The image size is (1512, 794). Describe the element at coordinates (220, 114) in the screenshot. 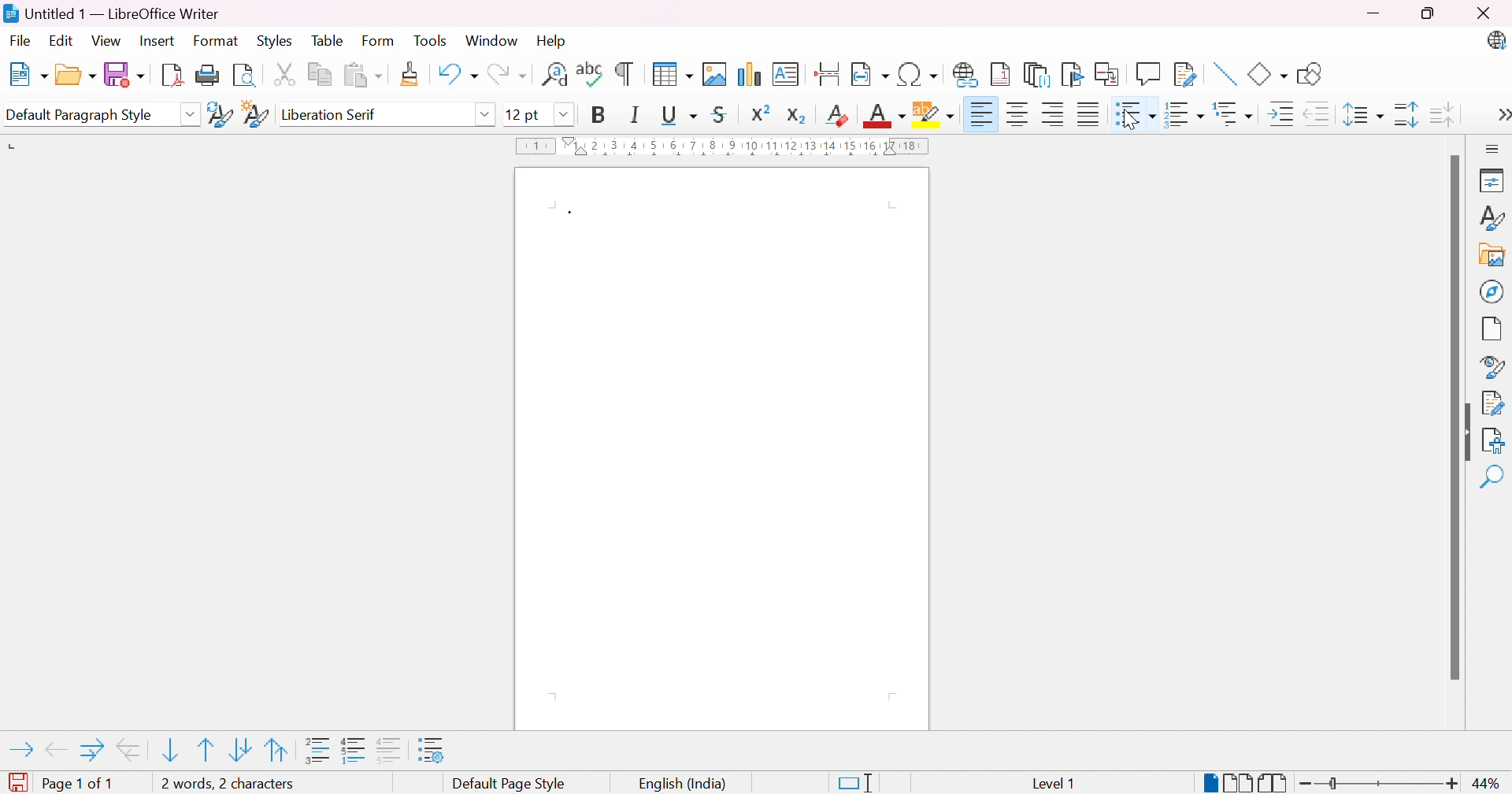

I see `Update selected style` at that location.